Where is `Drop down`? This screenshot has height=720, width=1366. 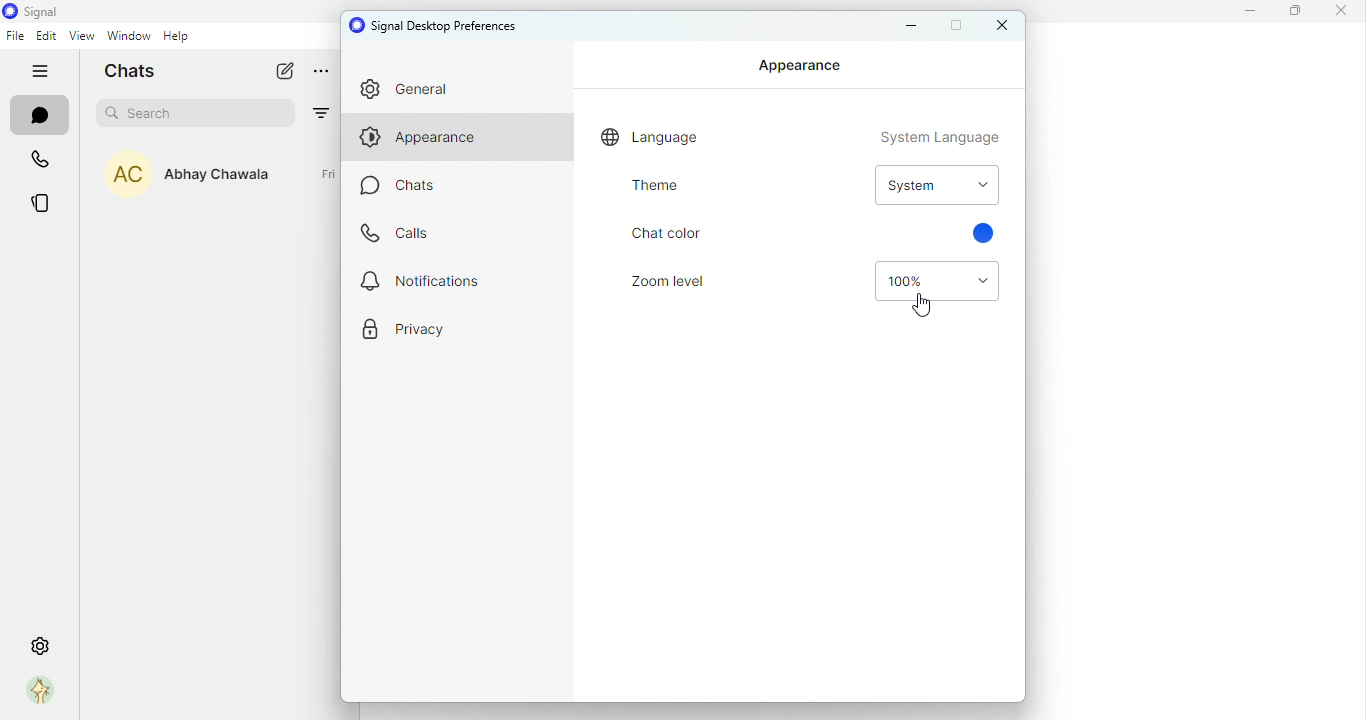 Drop down is located at coordinates (941, 282).